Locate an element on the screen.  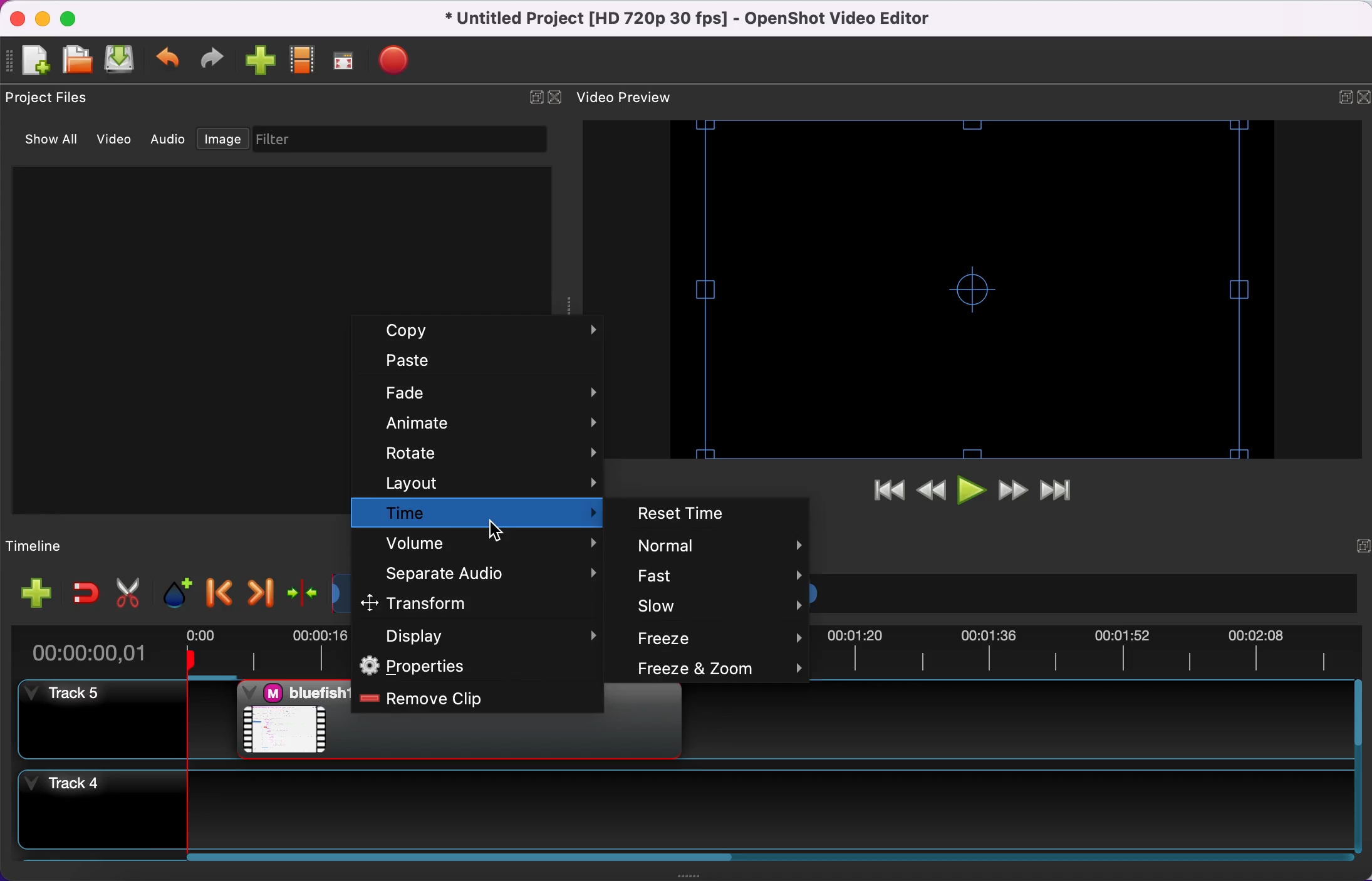
image is located at coordinates (221, 140).